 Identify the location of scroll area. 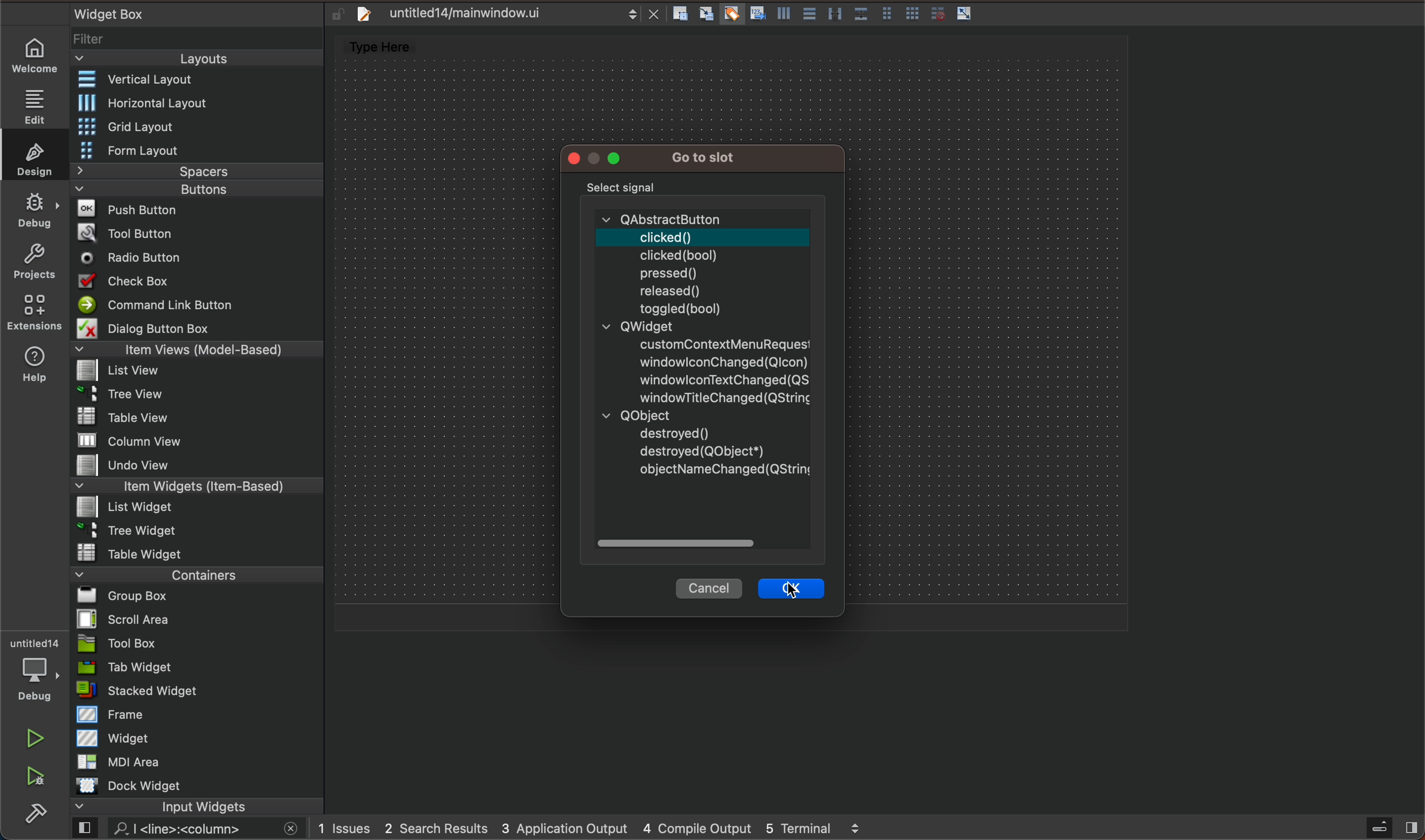
(197, 620).